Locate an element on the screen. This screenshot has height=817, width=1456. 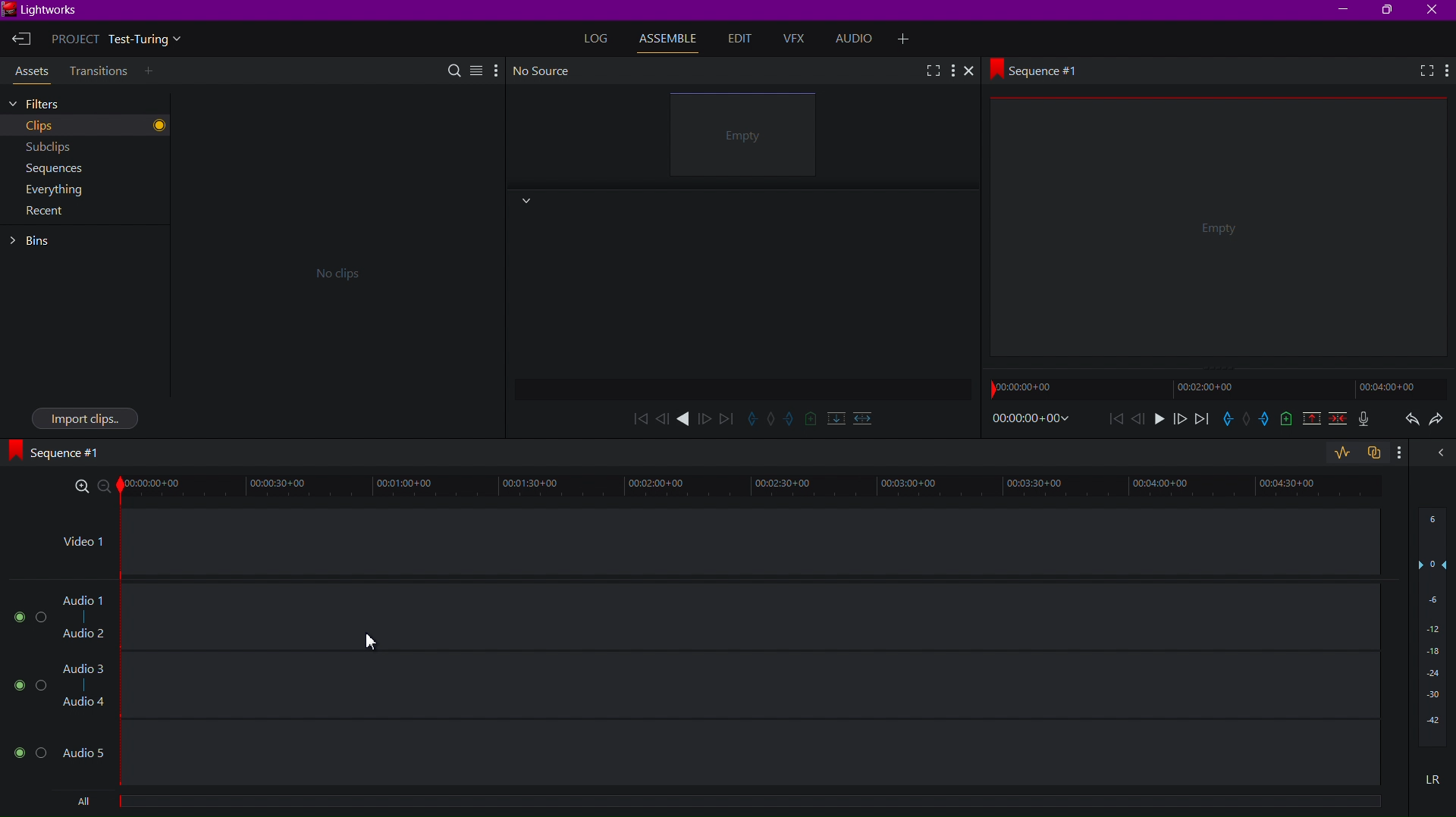
play is located at coordinates (685, 419).